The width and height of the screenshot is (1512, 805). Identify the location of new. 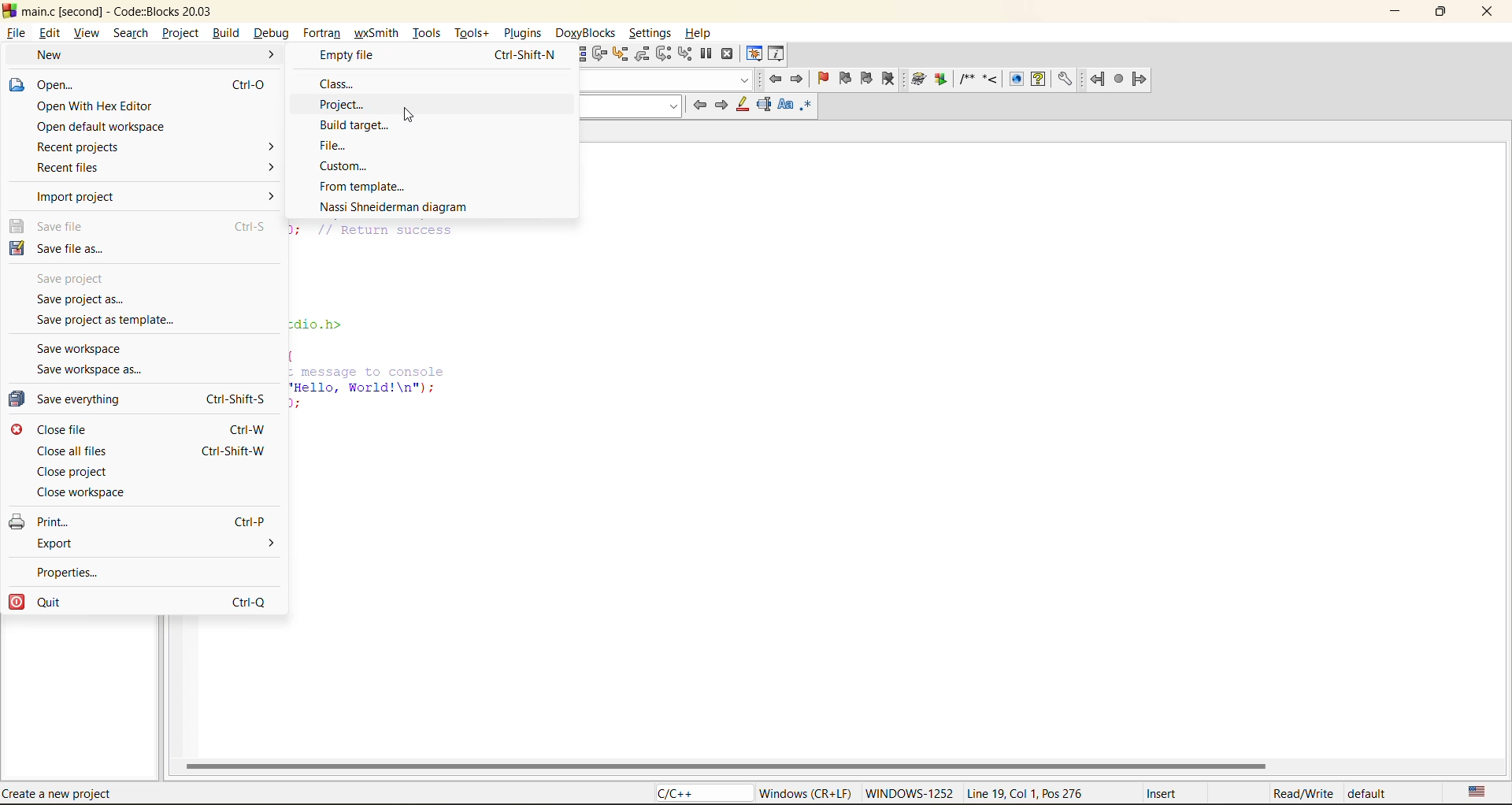
(61, 54).